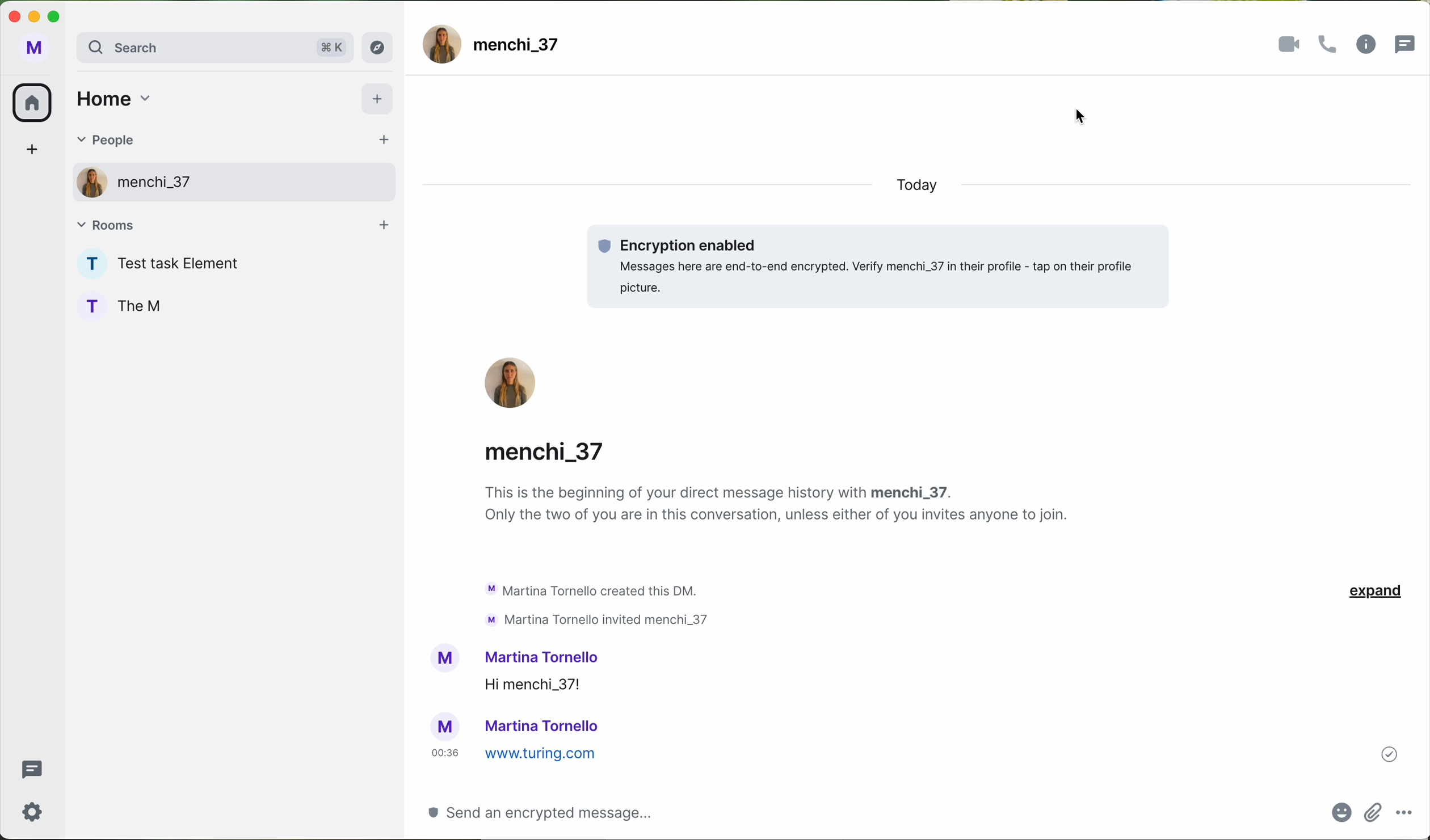  Describe the element at coordinates (442, 44) in the screenshot. I see `profile image` at that location.